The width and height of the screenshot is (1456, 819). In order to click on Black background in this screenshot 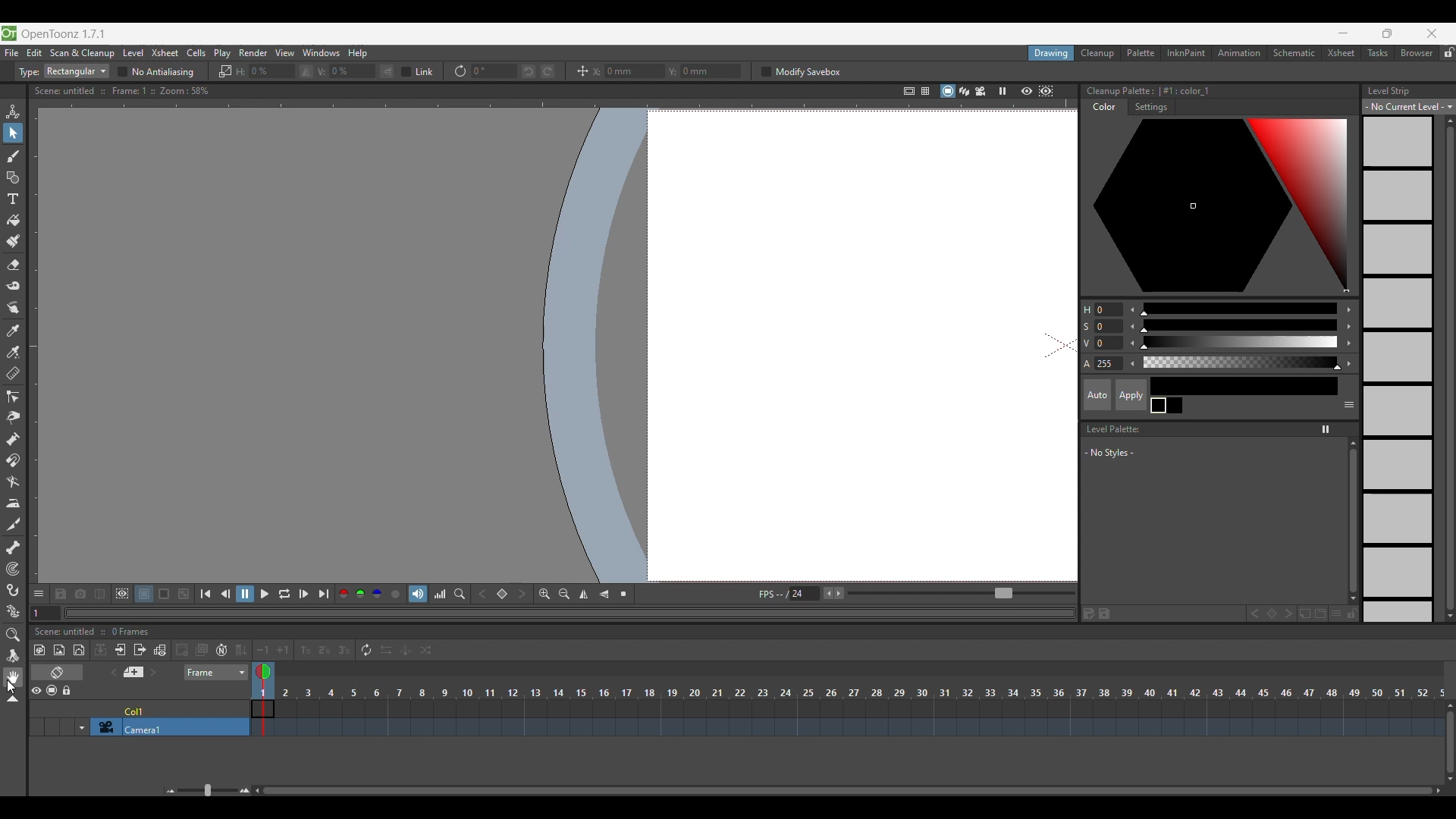, I will do `click(164, 594)`.